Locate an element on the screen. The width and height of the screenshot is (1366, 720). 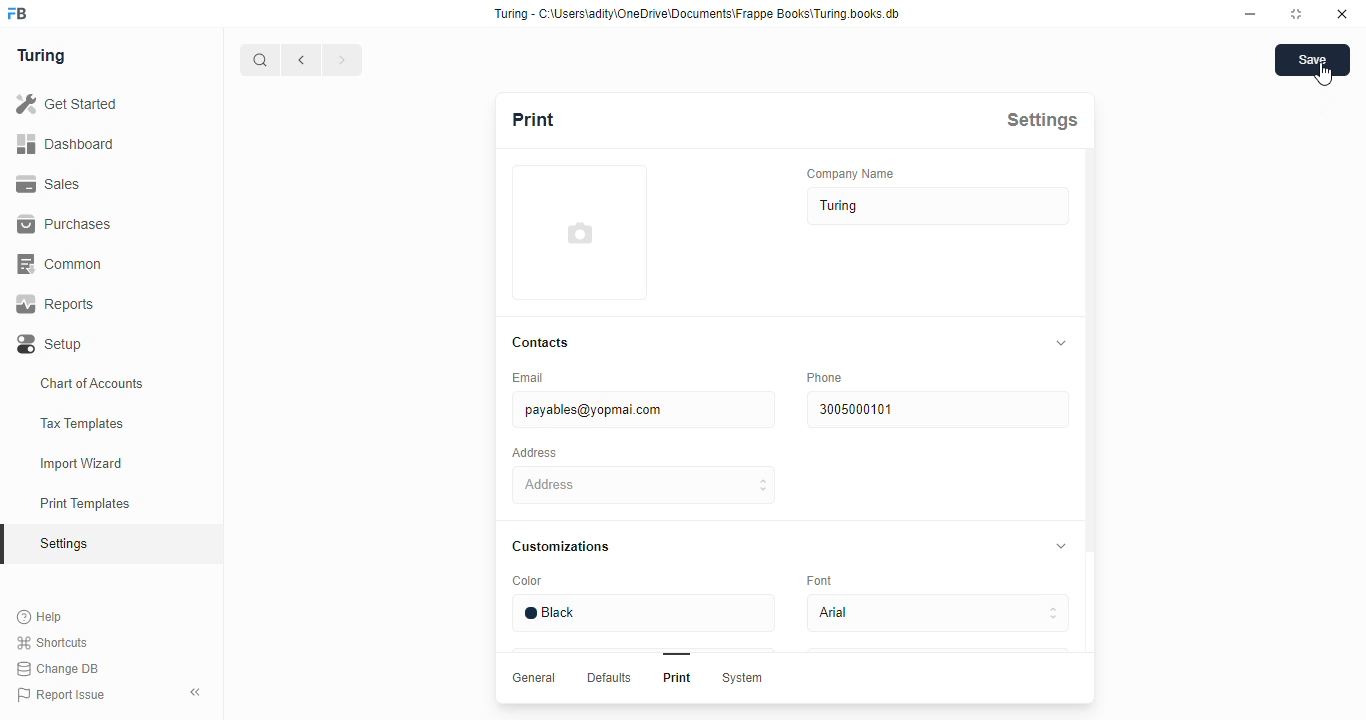
Address is located at coordinates (638, 486).